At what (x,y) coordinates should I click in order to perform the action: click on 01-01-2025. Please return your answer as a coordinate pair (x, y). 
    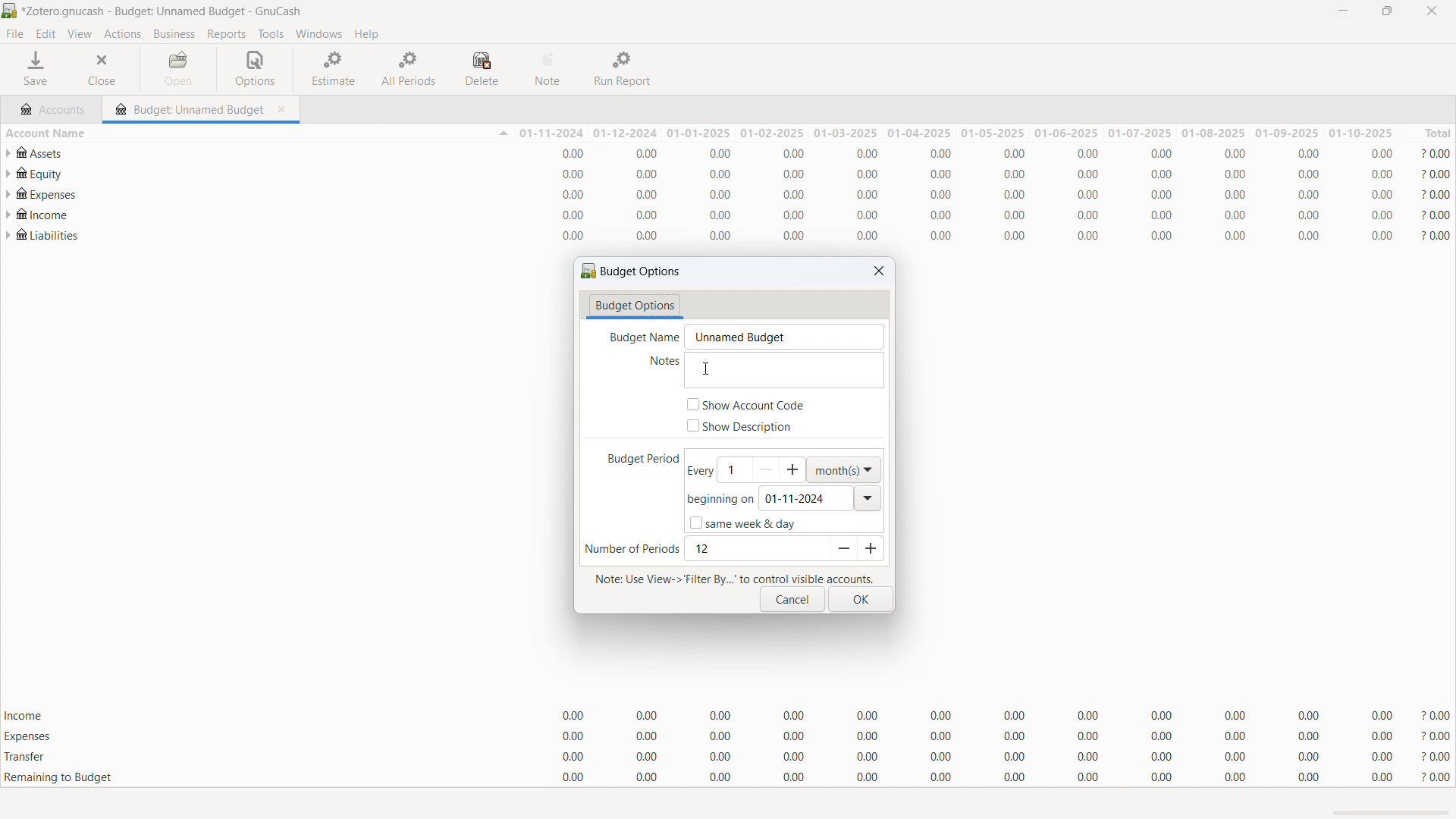
    Looking at the image, I should click on (700, 132).